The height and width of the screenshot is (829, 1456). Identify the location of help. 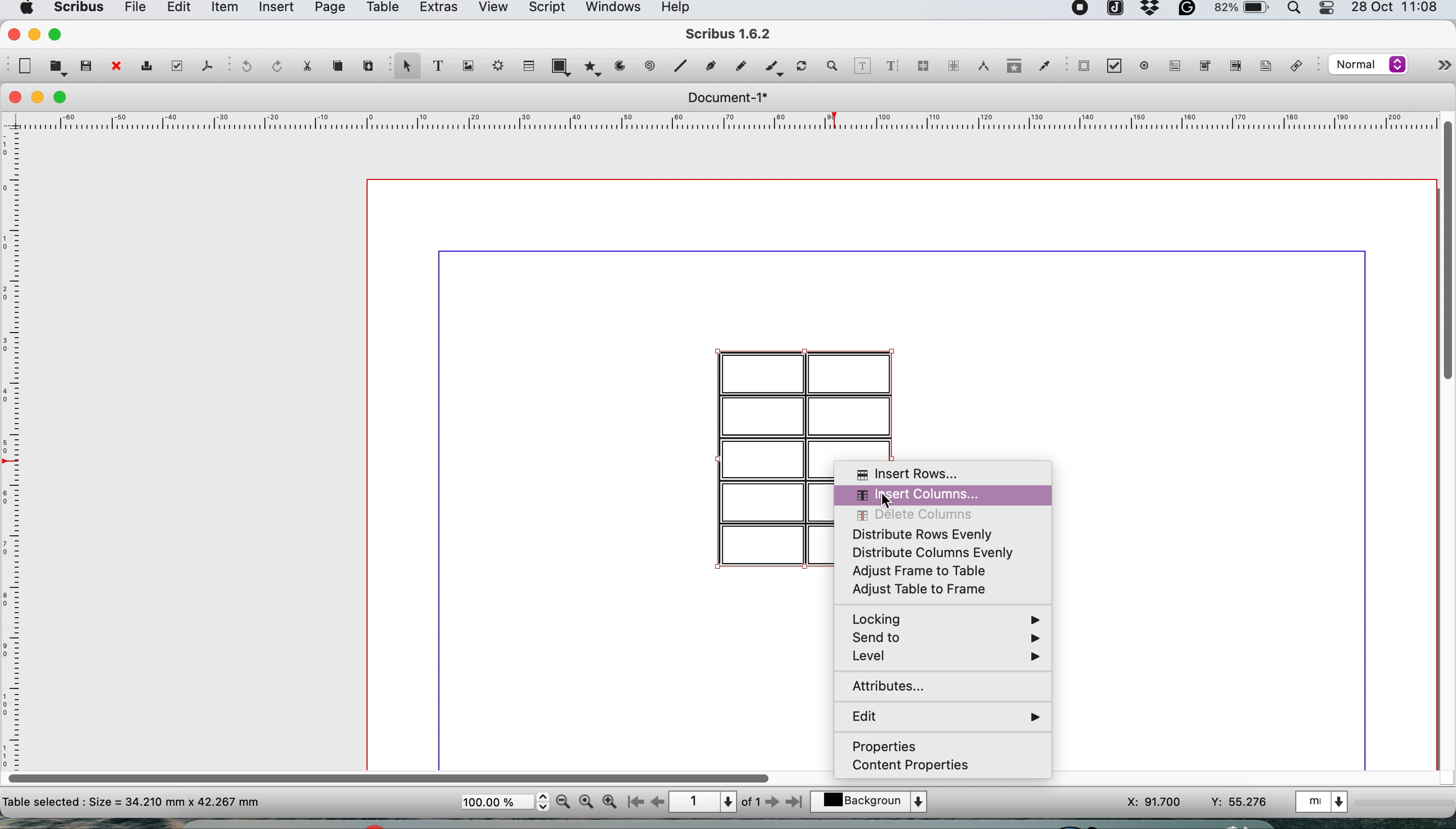
(681, 9).